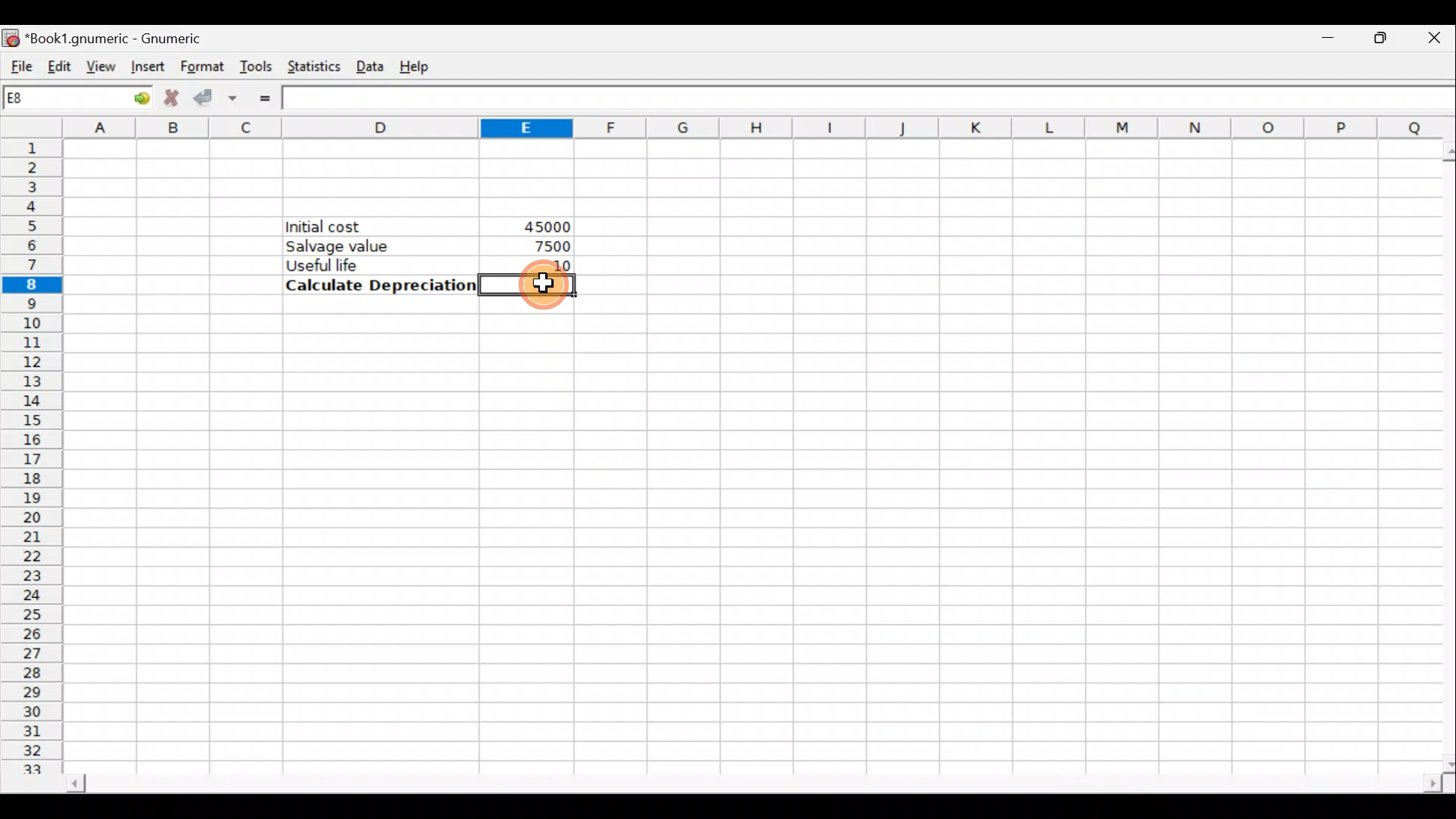 The height and width of the screenshot is (819, 1456). I want to click on go to, so click(132, 98).